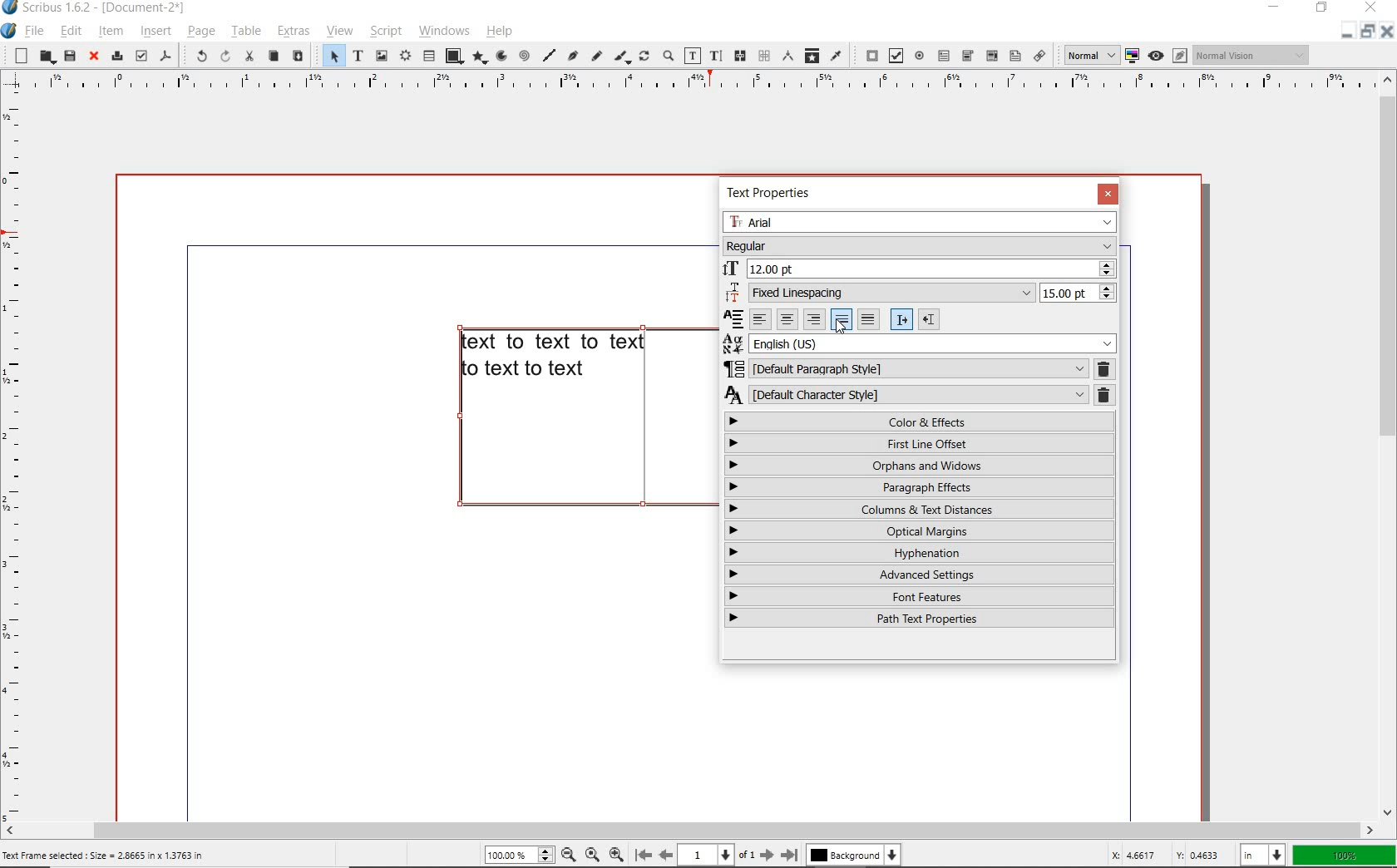 Image resolution: width=1397 pixels, height=868 pixels. I want to click on save as pdf, so click(165, 56).